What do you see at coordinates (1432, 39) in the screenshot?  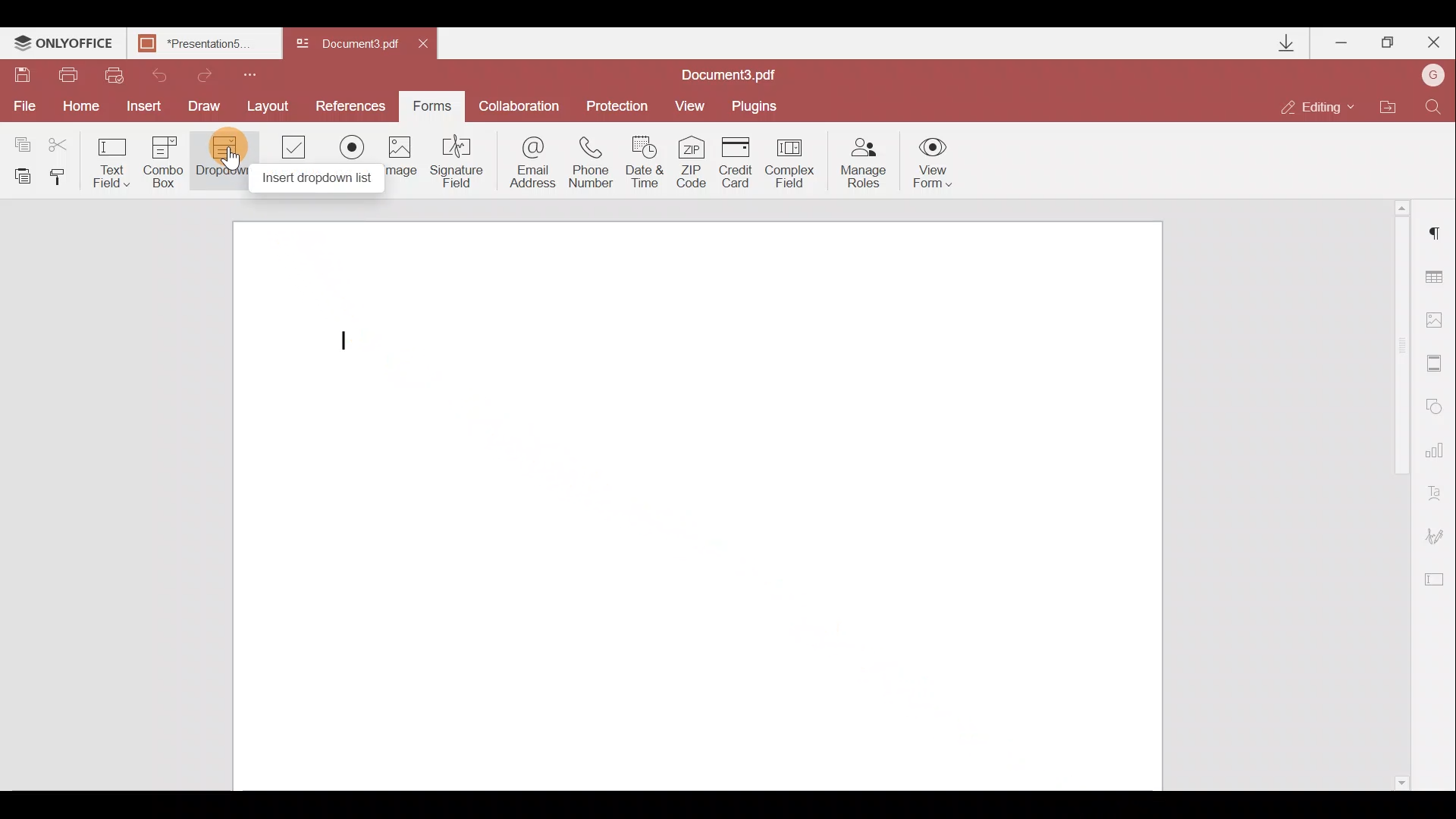 I see `Close` at bounding box center [1432, 39].